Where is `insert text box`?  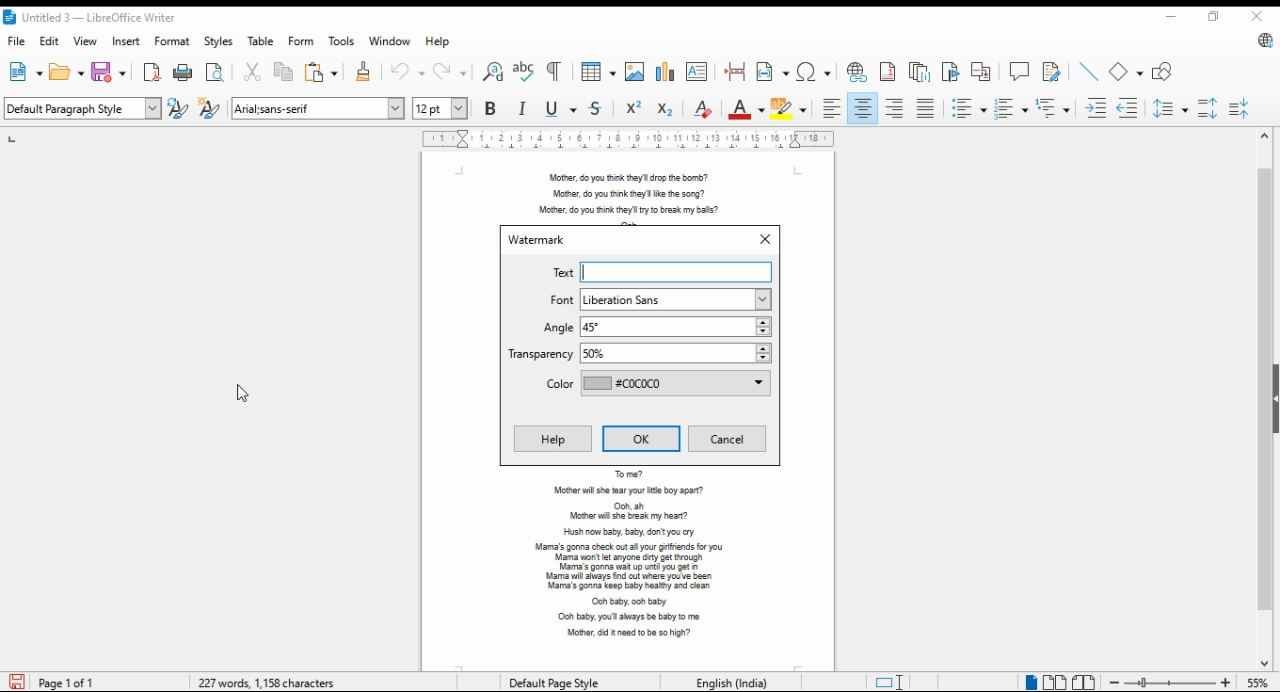
insert text box is located at coordinates (698, 71).